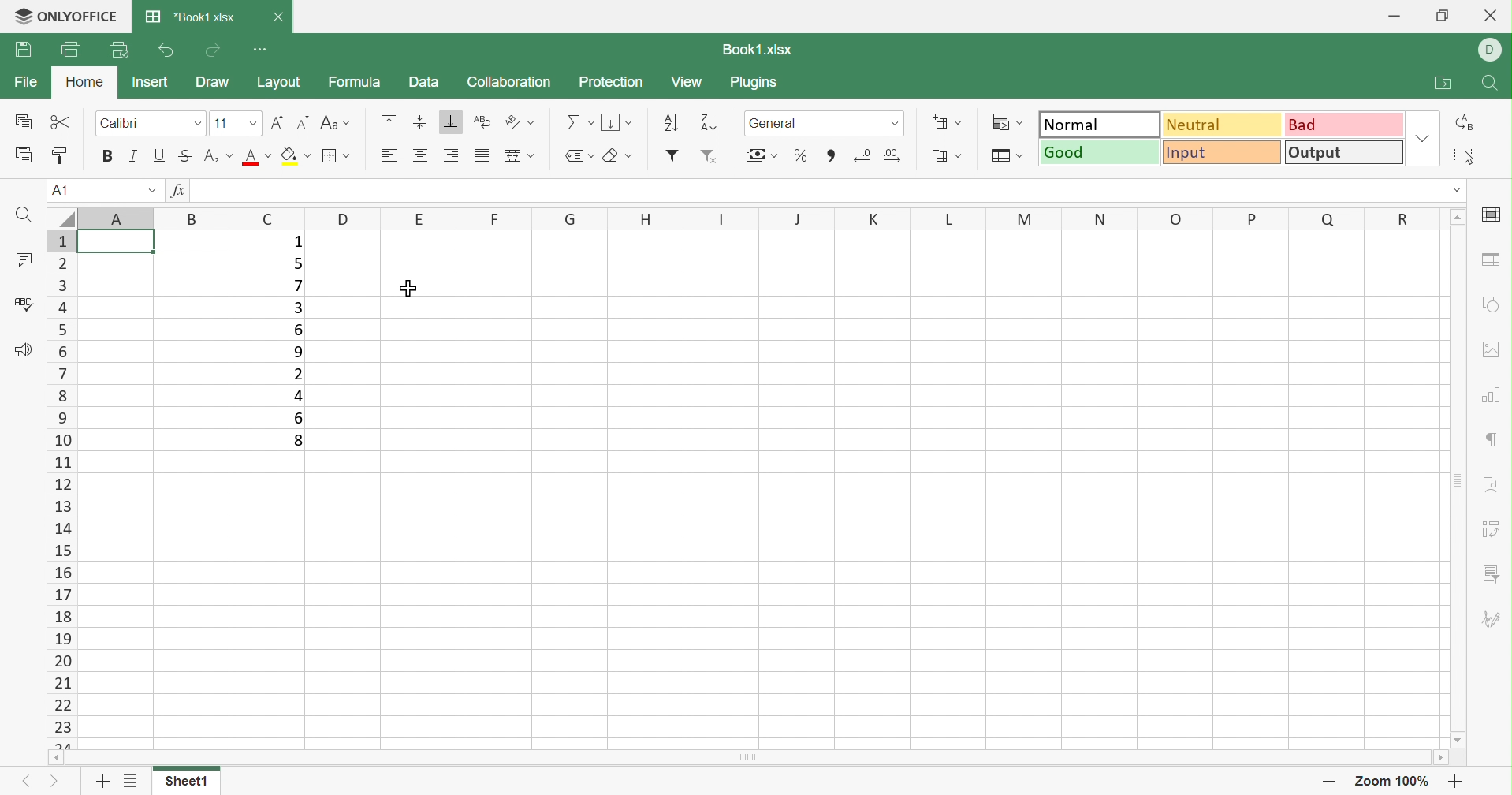 The image size is (1512, 795). What do you see at coordinates (832, 156) in the screenshot?
I see `Comma style` at bounding box center [832, 156].